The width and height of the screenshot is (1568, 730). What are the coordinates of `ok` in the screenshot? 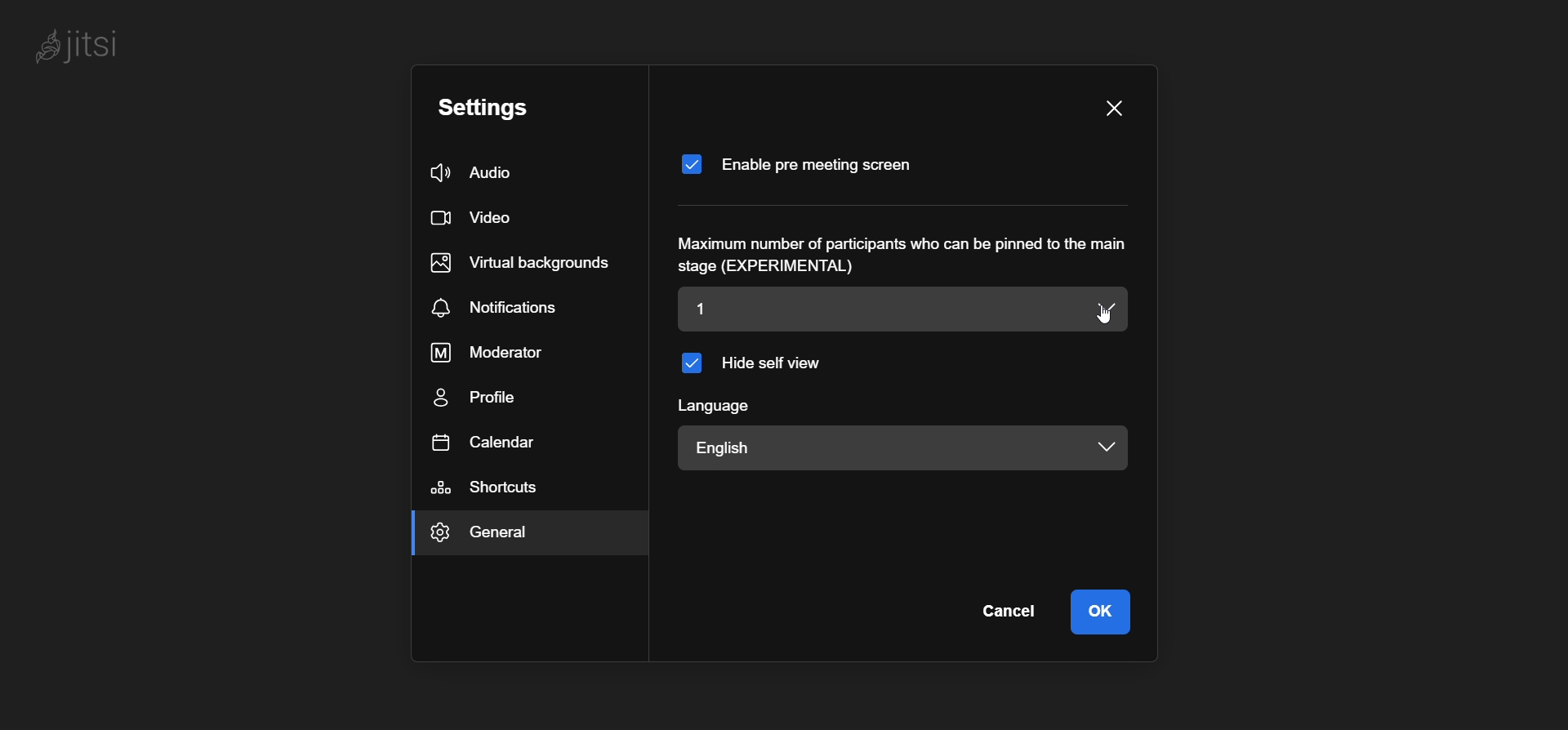 It's located at (1106, 610).